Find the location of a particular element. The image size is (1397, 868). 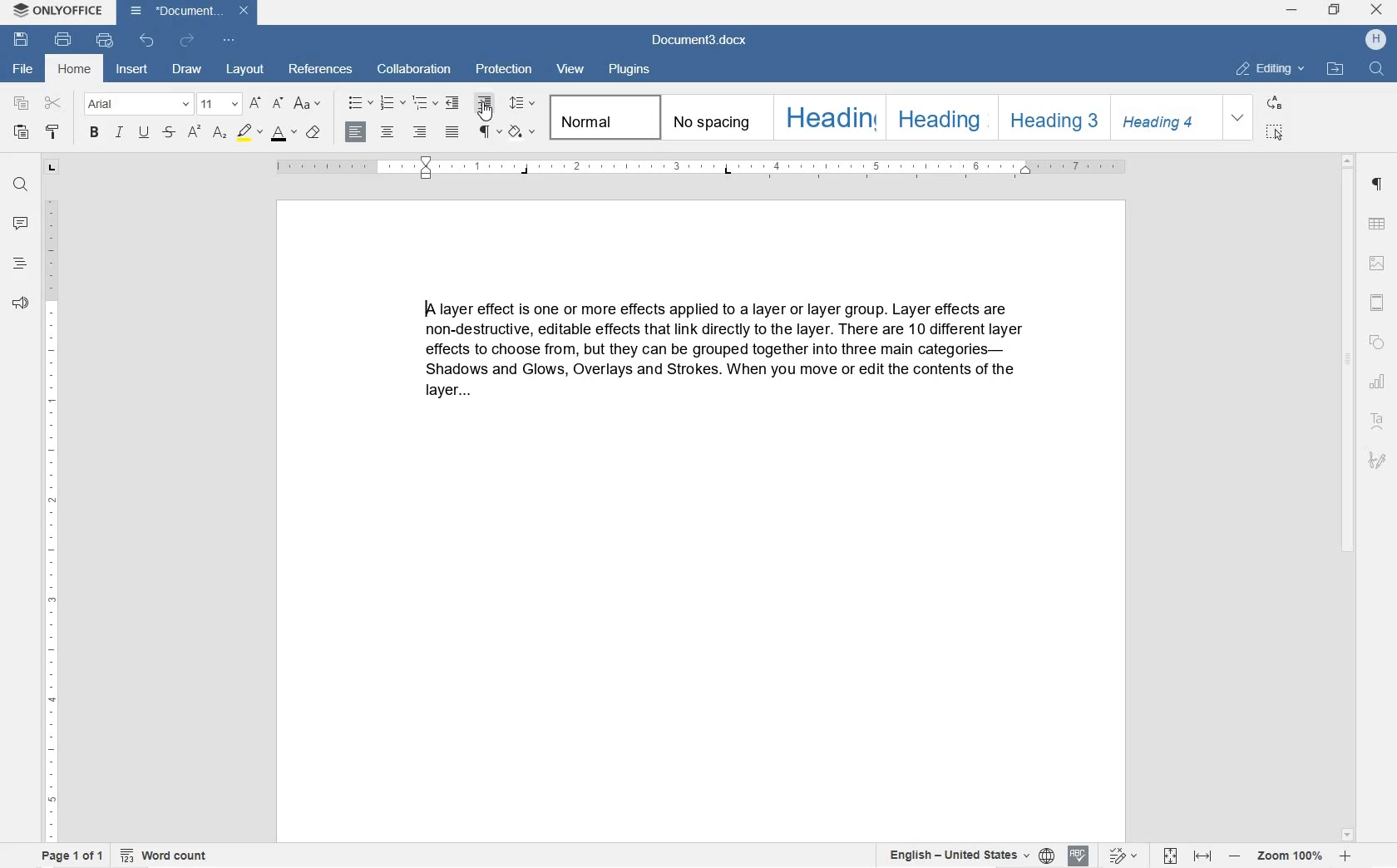

CUT is located at coordinates (55, 104).